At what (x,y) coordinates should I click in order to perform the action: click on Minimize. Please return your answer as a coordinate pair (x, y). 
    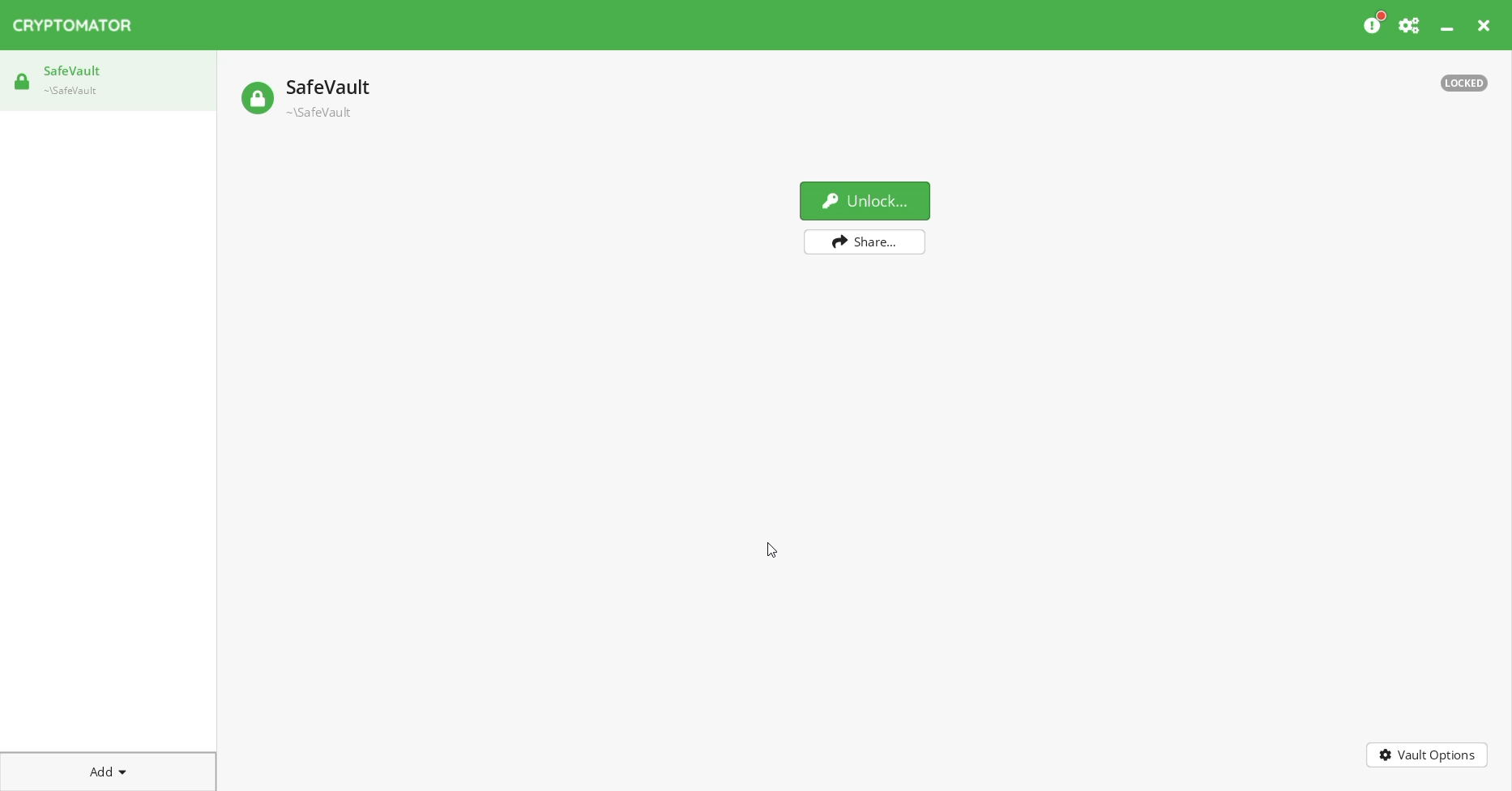
    Looking at the image, I should click on (1449, 25).